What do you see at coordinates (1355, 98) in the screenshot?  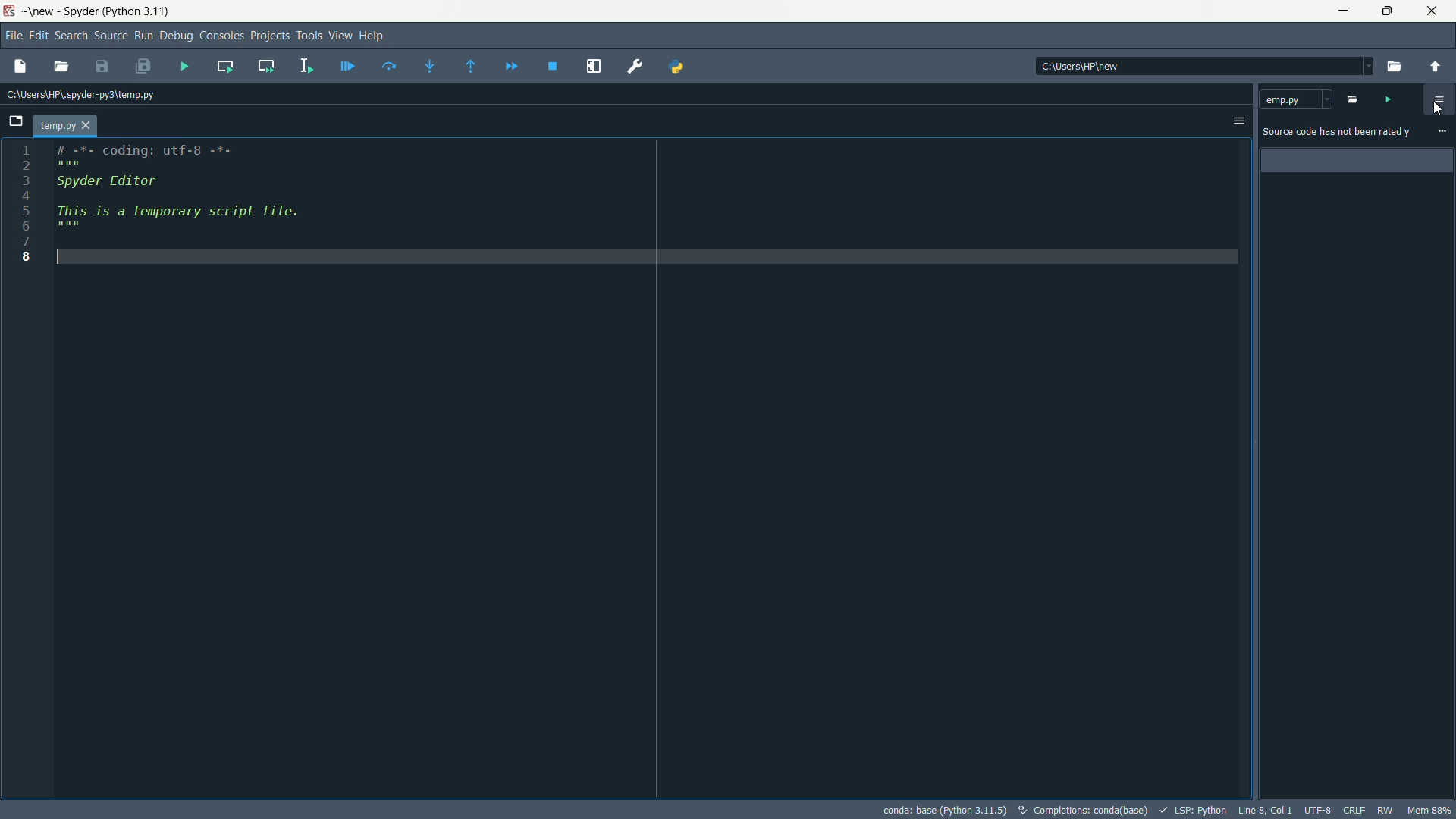 I see `open file` at bounding box center [1355, 98].